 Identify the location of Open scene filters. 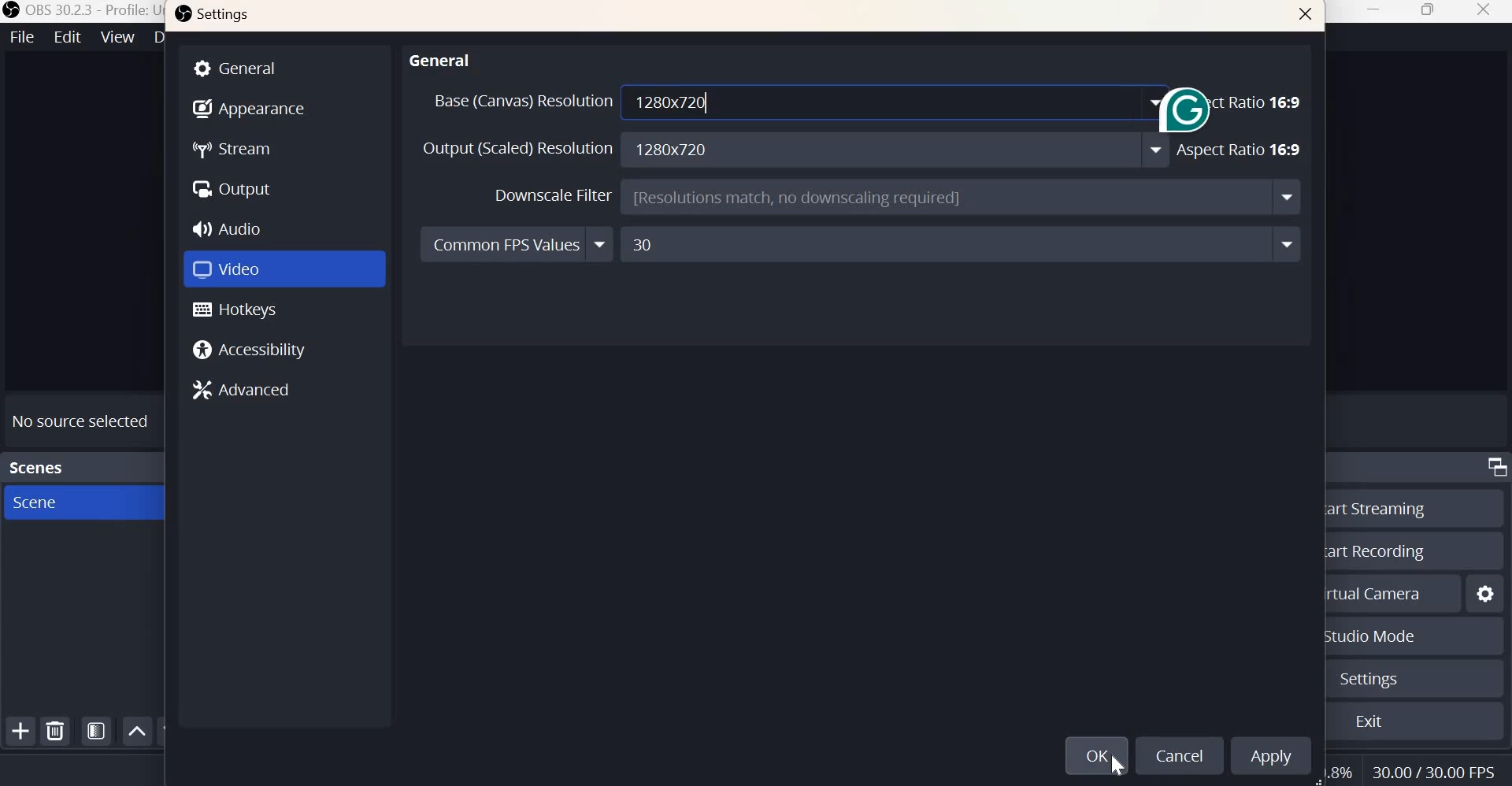
(96, 730).